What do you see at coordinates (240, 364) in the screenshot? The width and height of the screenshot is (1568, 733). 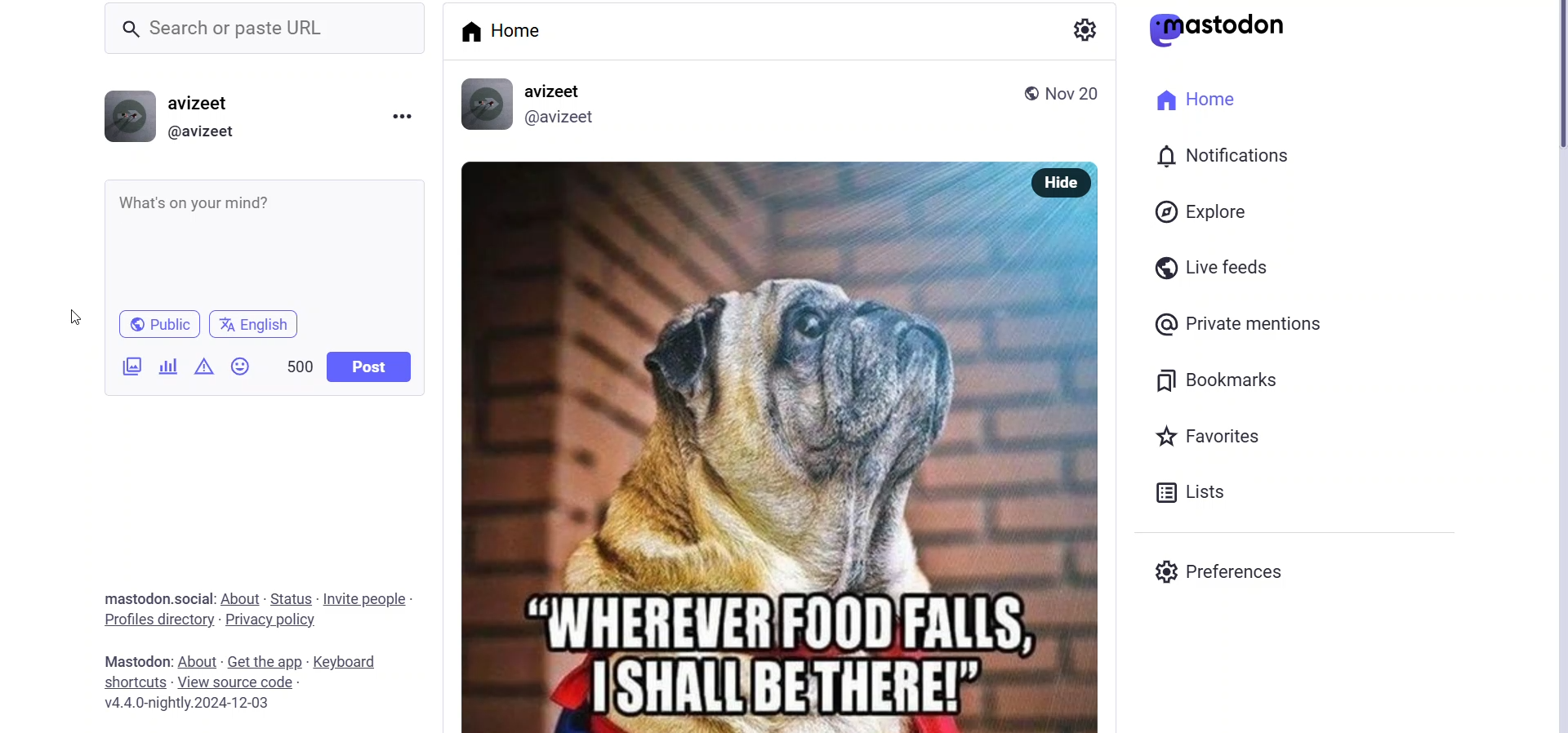 I see `emojis` at bounding box center [240, 364].